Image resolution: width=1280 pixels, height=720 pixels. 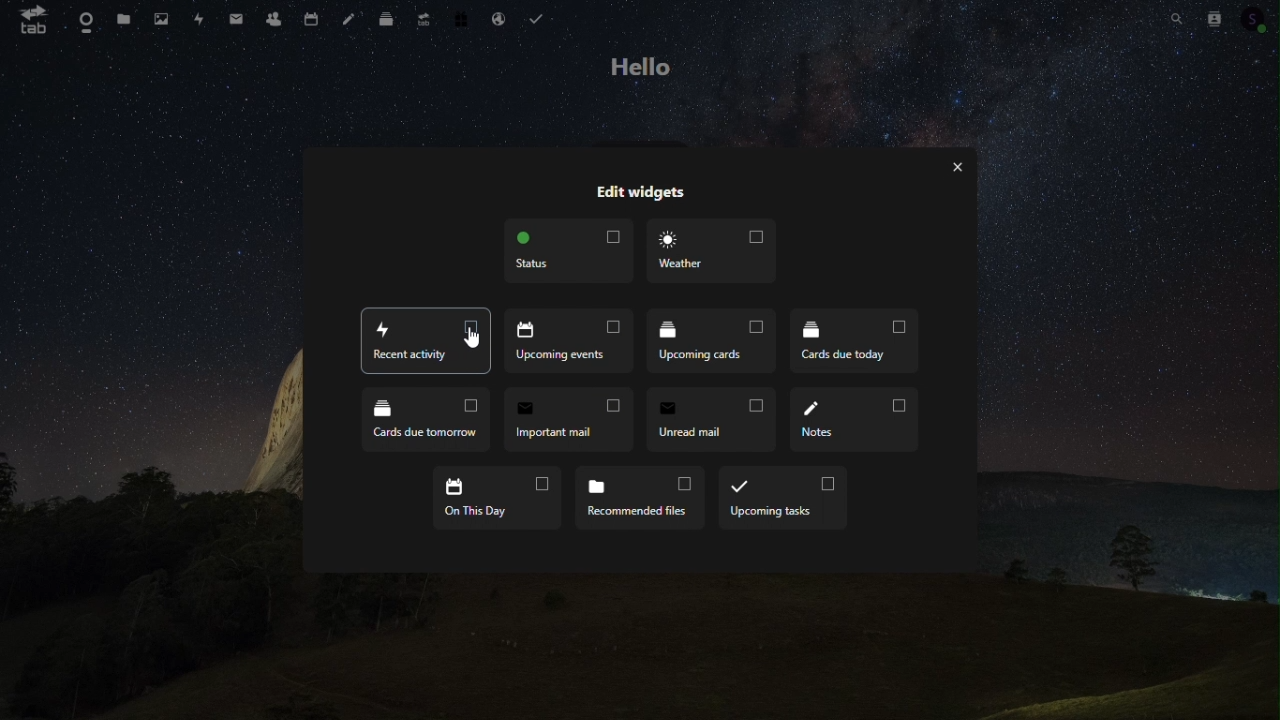 What do you see at coordinates (310, 17) in the screenshot?
I see `Calendar` at bounding box center [310, 17].